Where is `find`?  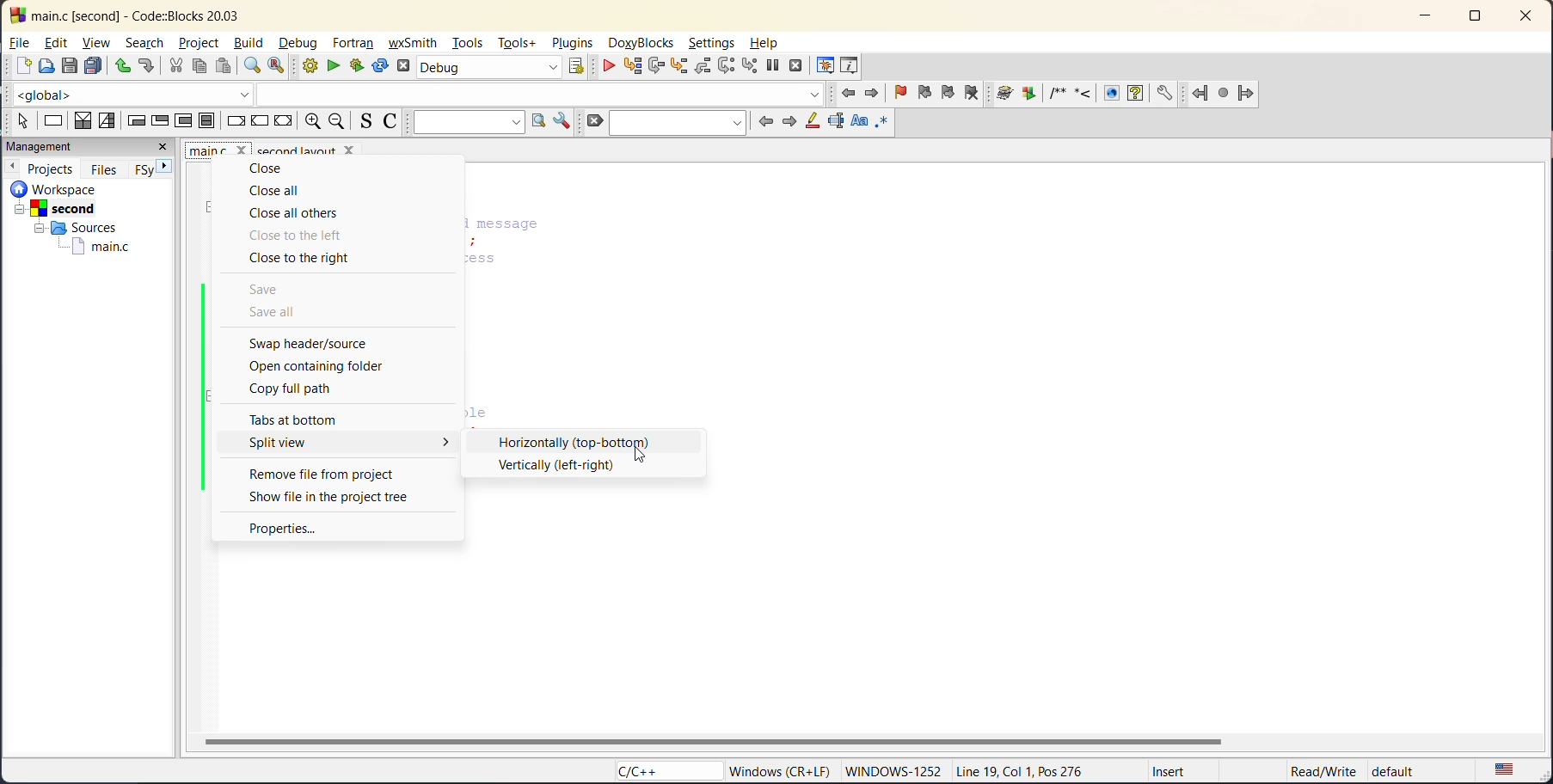
find is located at coordinates (253, 65).